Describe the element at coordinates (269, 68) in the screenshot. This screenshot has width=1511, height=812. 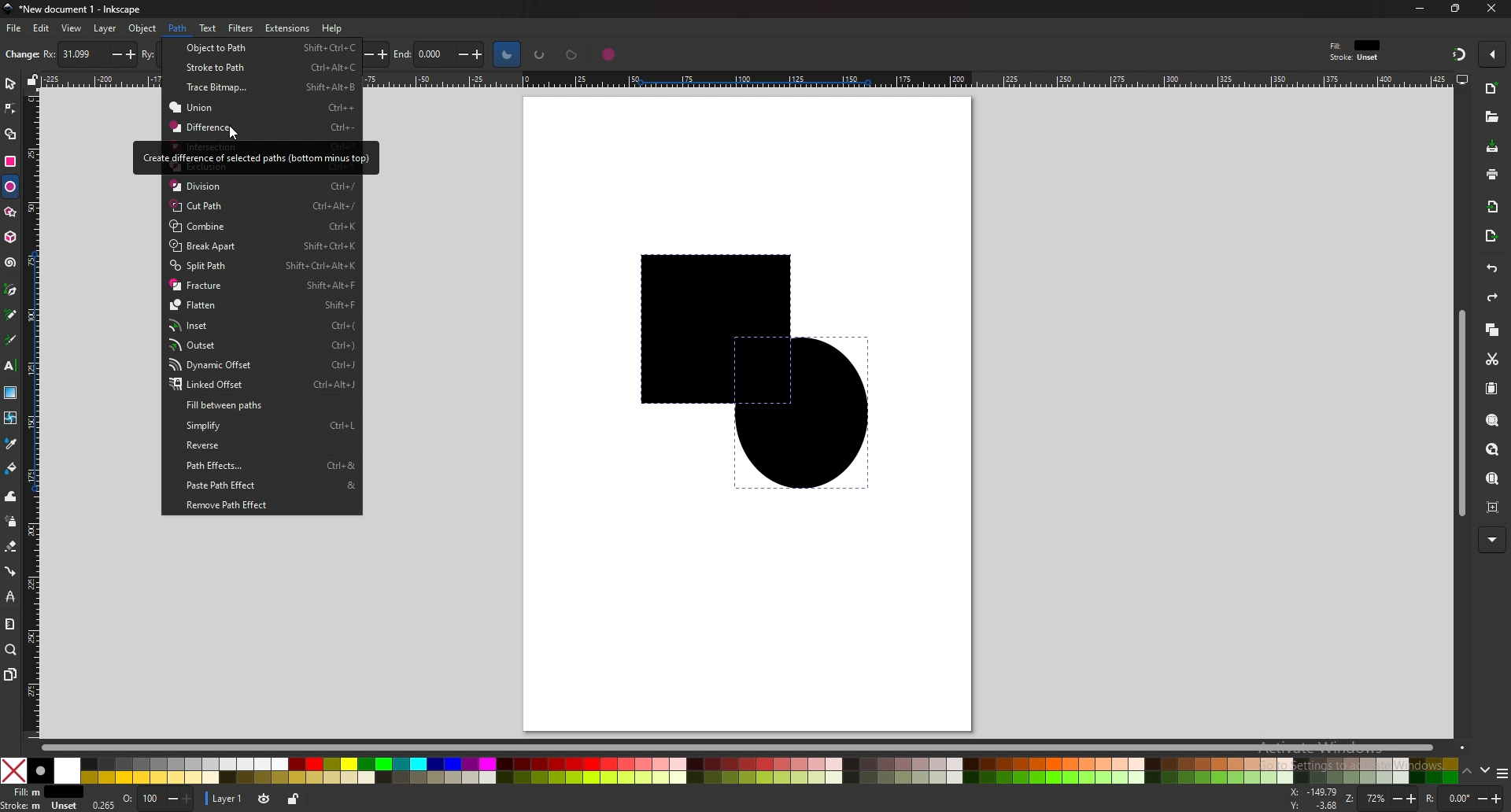
I see `Stroke to Path` at that location.